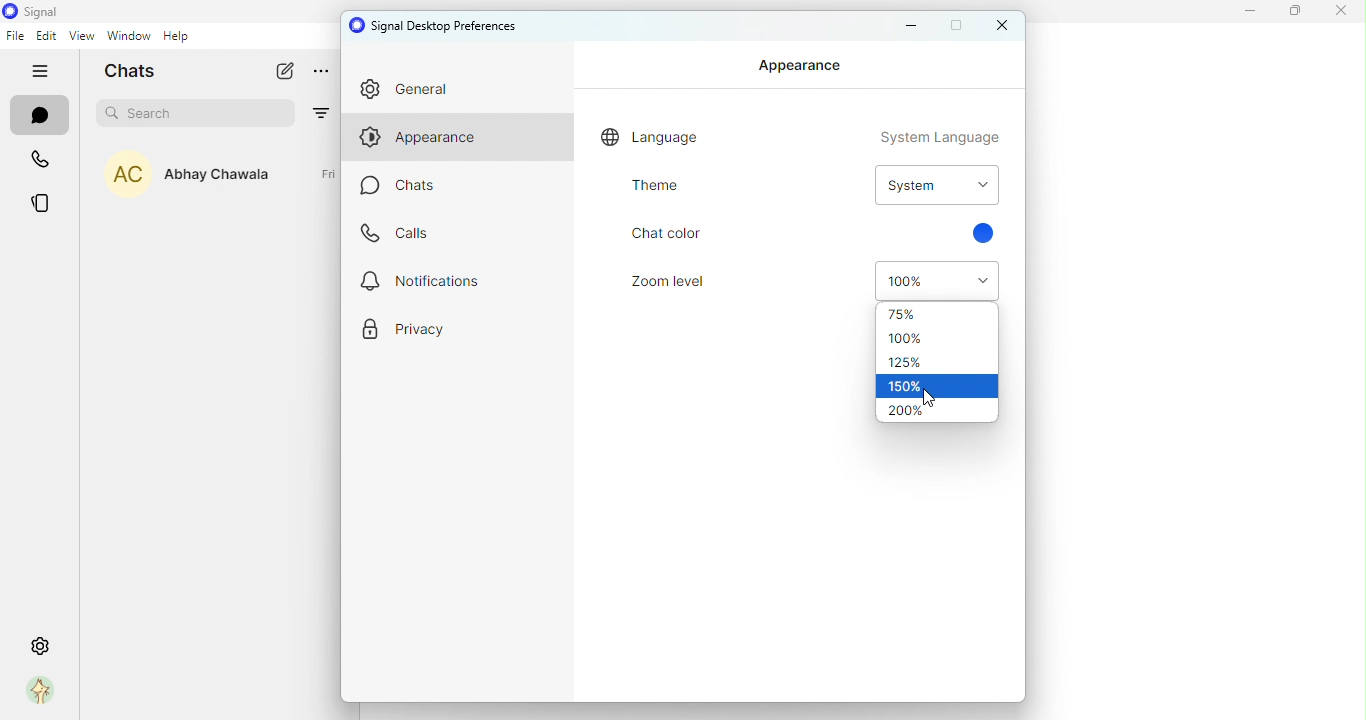  Describe the element at coordinates (658, 190) in the screenshot. I see `theme` at that location.